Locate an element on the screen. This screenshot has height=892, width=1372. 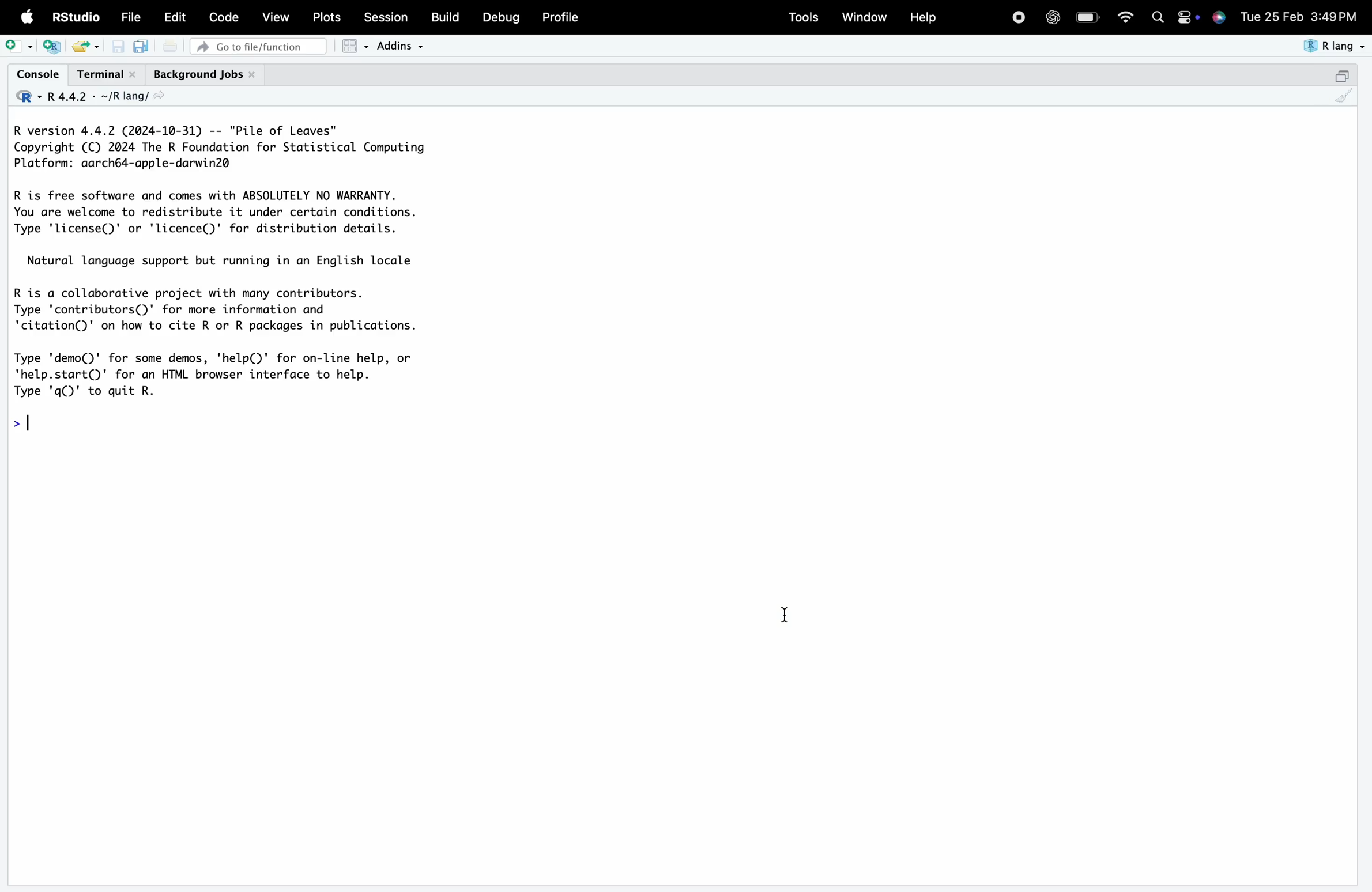
search is located at coordinates (1158, 17).